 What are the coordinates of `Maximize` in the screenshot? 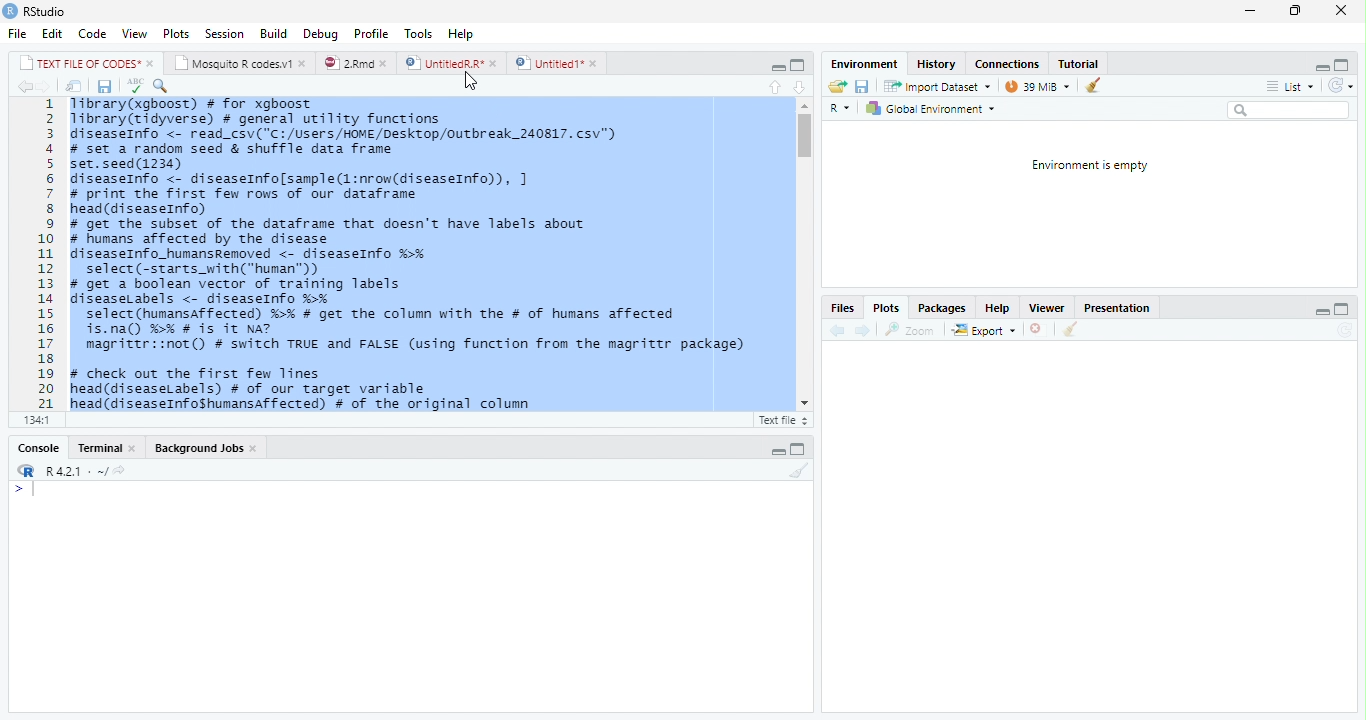 It's located at (1341, 307).